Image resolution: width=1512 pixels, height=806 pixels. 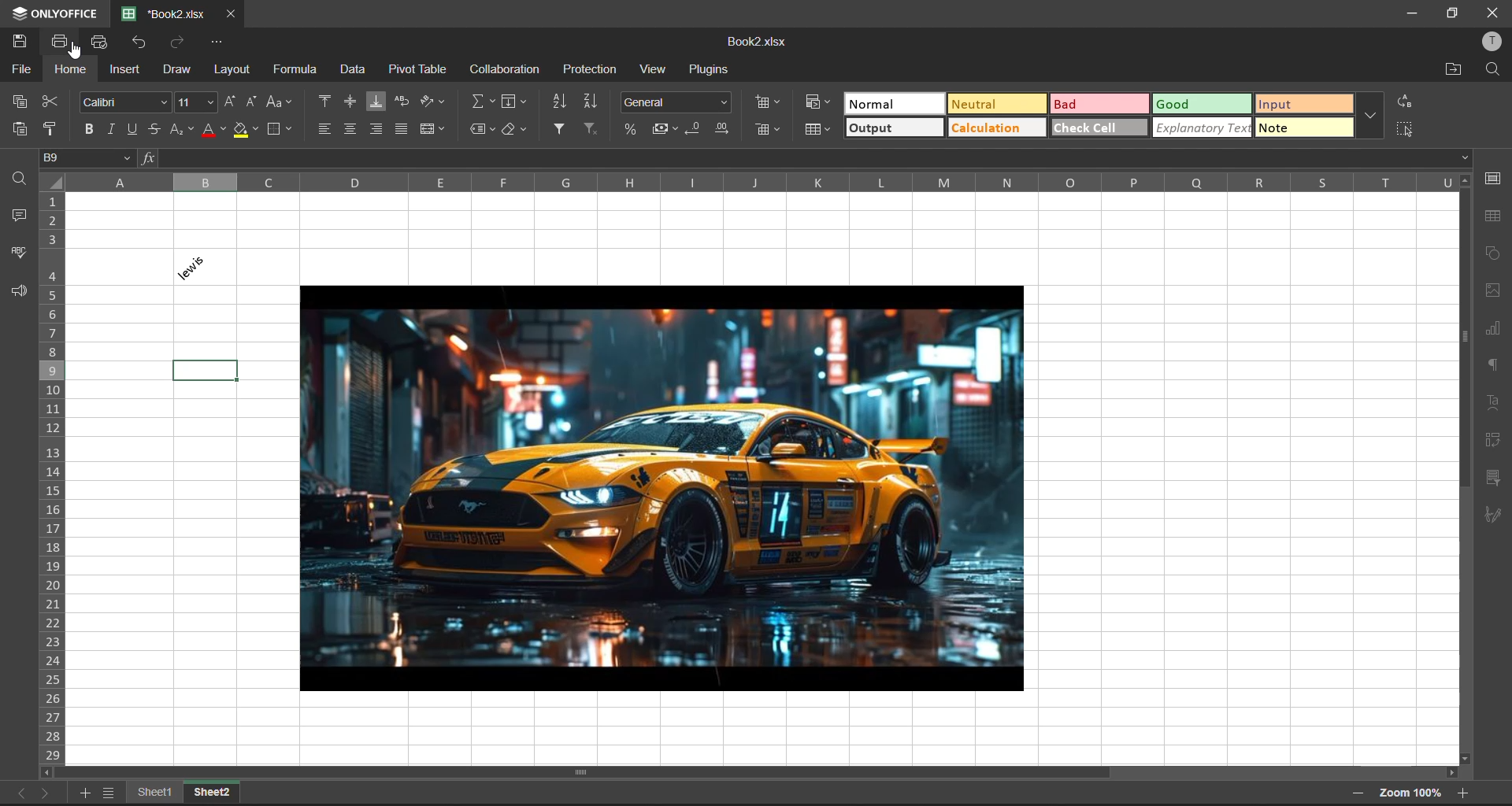 What do you see at coordinates (20, 69) in the screenshot?
I see `file` at bounding box center [20, 69].